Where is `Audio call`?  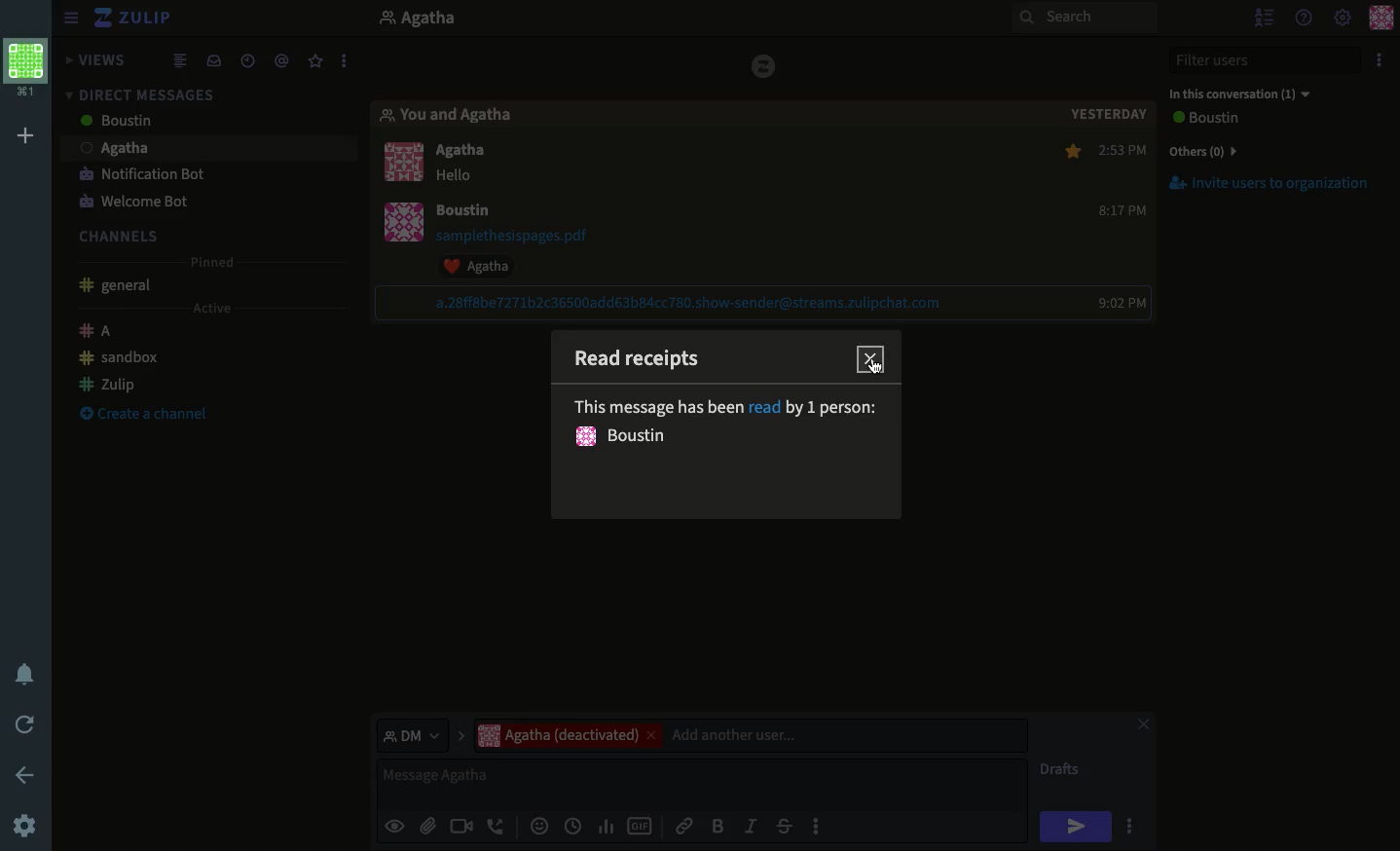 Audio call is located at coordinates (497, 828).